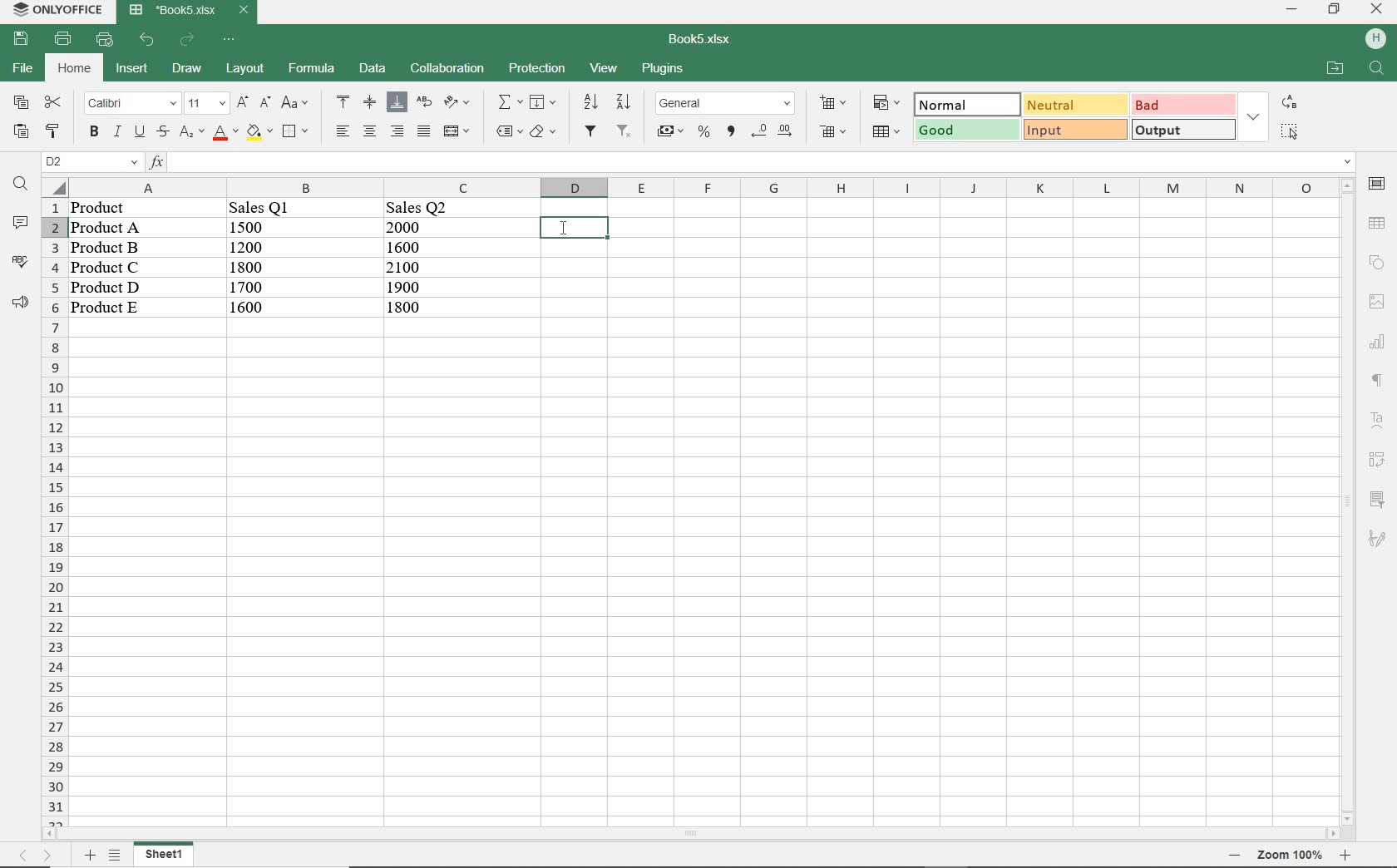 The image size is (1397, 868). What do you see at coordinates (264, 102) in the screenshot?
I see `decrement font size` at bounding box center [264, 102].